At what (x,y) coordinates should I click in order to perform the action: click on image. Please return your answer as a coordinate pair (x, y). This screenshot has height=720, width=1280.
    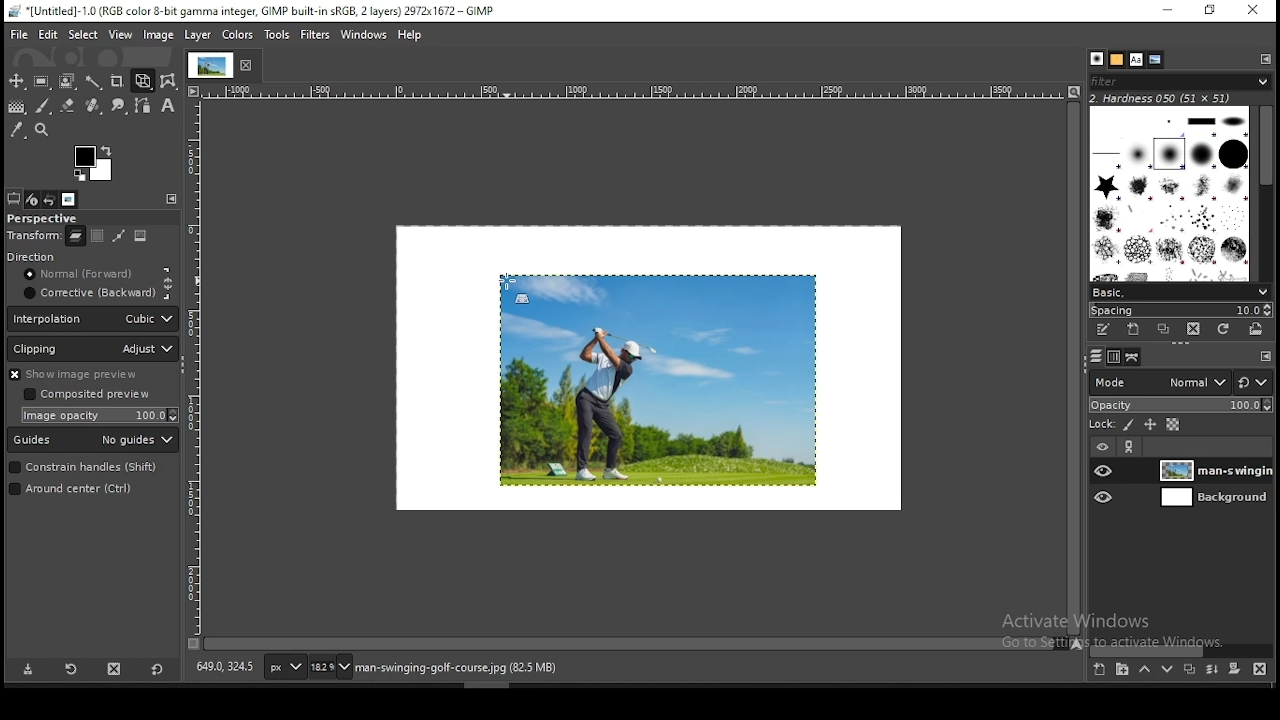
    Looking at the image, I should click on (235, 34).